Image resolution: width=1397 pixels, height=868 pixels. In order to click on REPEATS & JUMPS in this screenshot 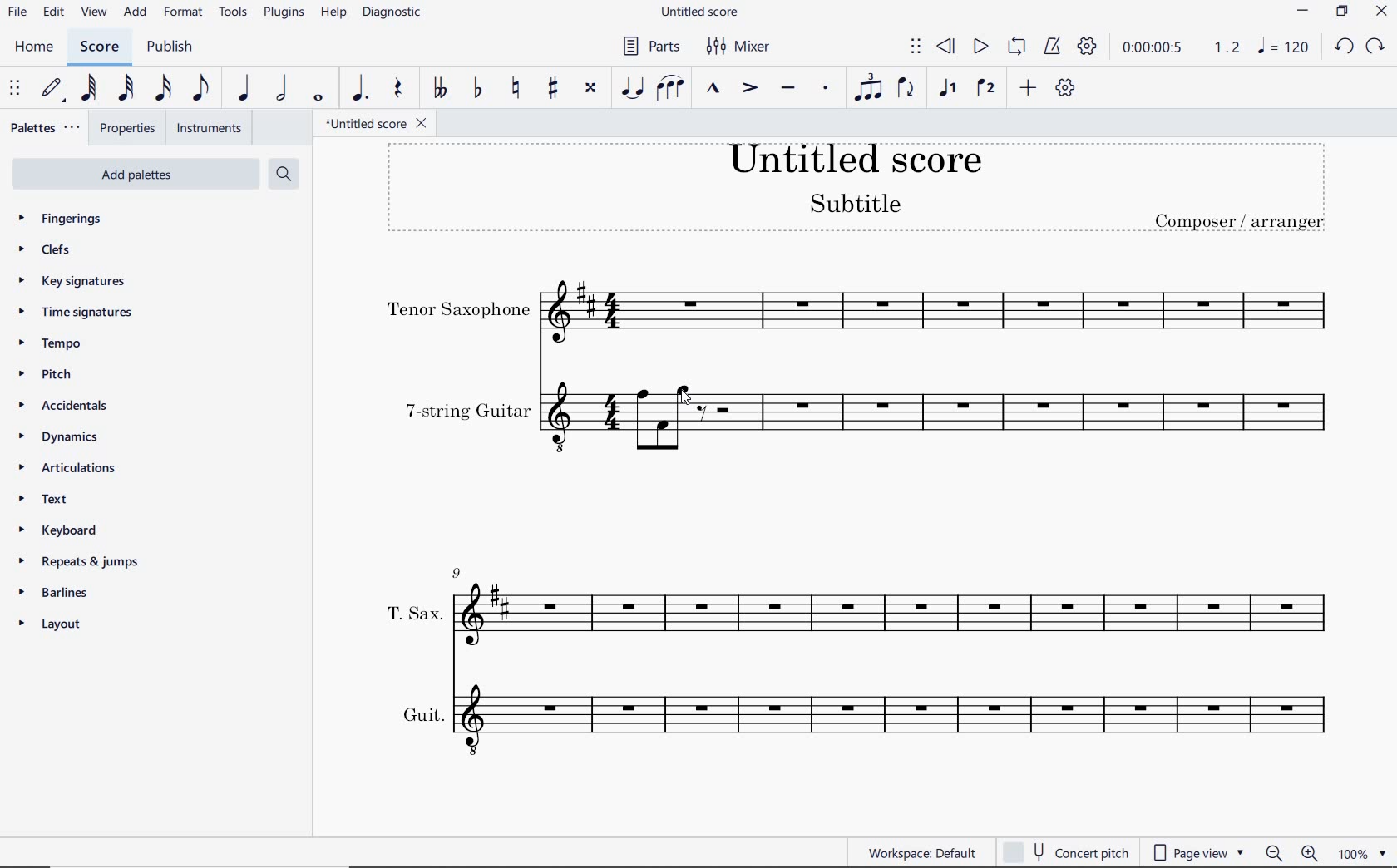, I will do `click(81, 562)`.